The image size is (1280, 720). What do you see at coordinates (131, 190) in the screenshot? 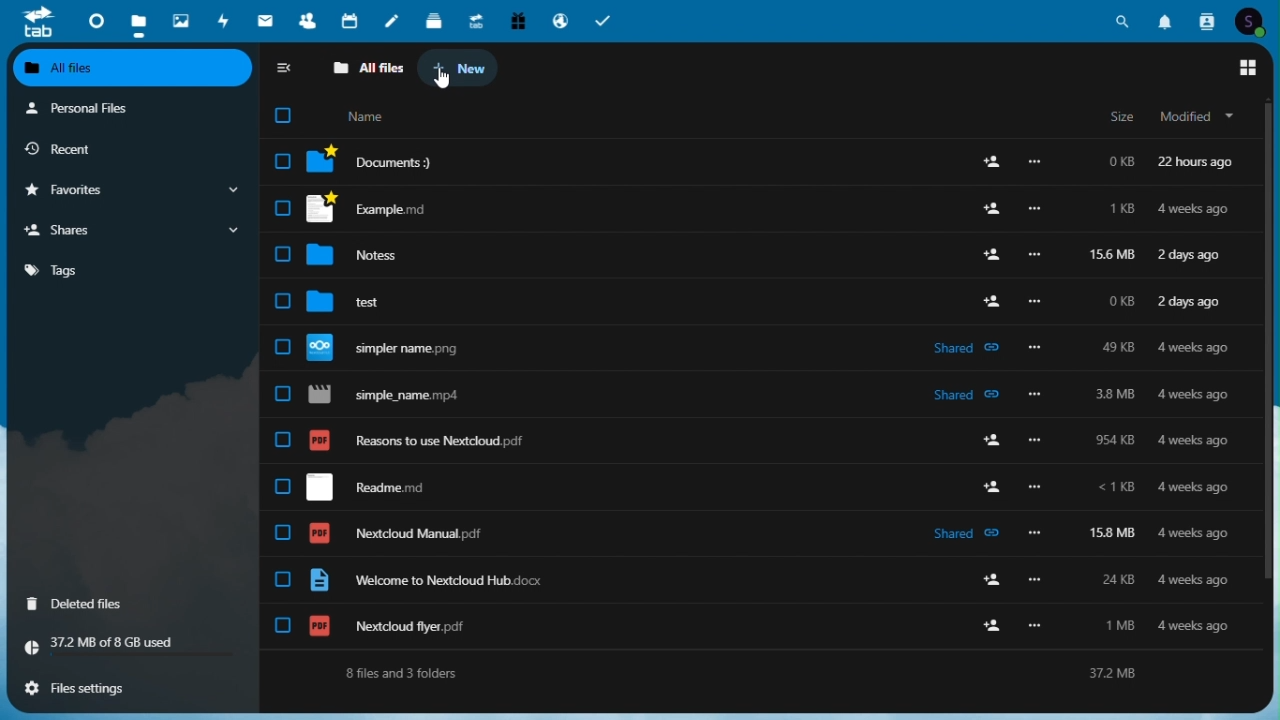
I see `Favourite` at bounding box center [131, 190].